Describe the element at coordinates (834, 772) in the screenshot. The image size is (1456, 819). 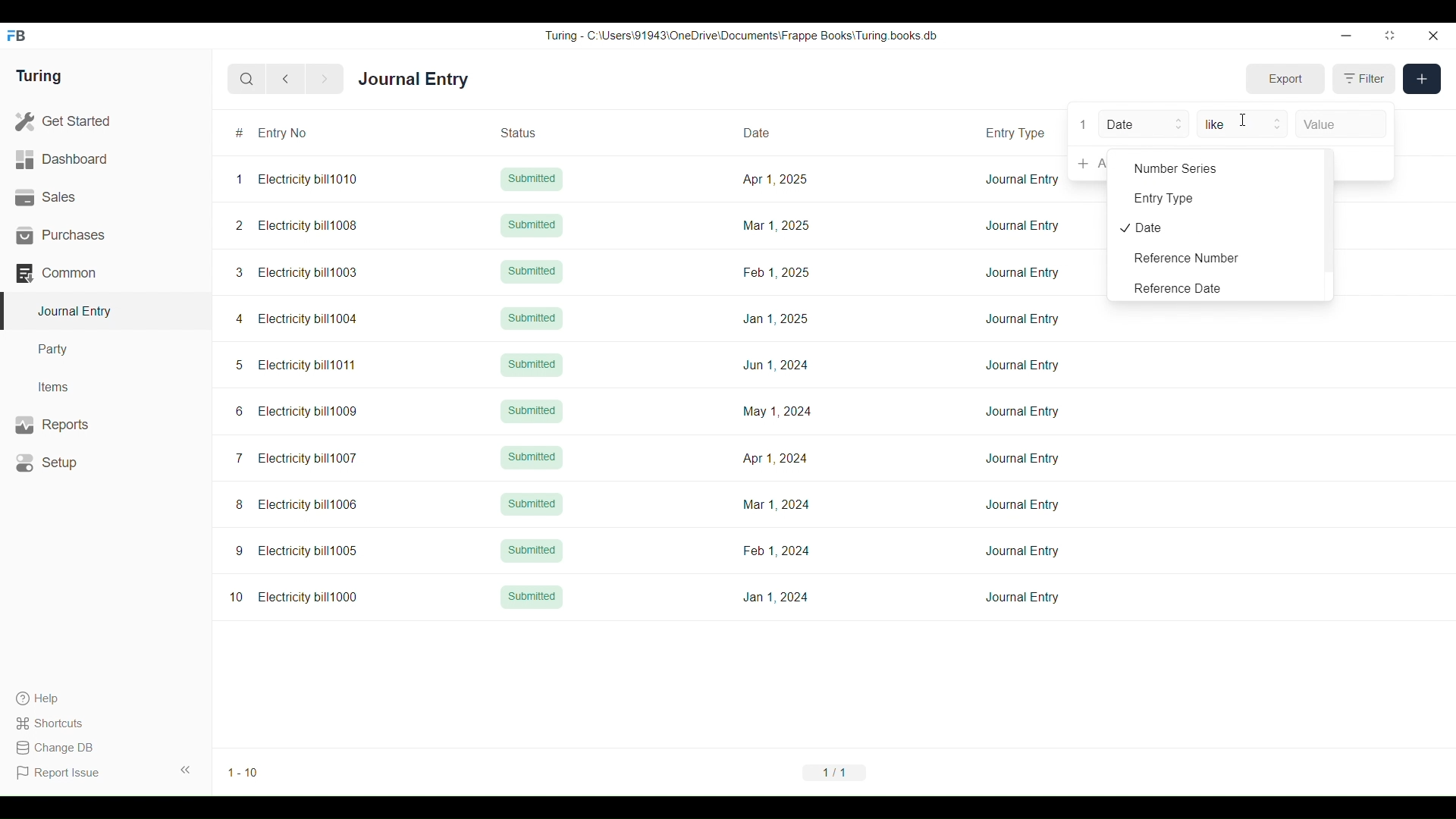
I see `1/1` at that location.